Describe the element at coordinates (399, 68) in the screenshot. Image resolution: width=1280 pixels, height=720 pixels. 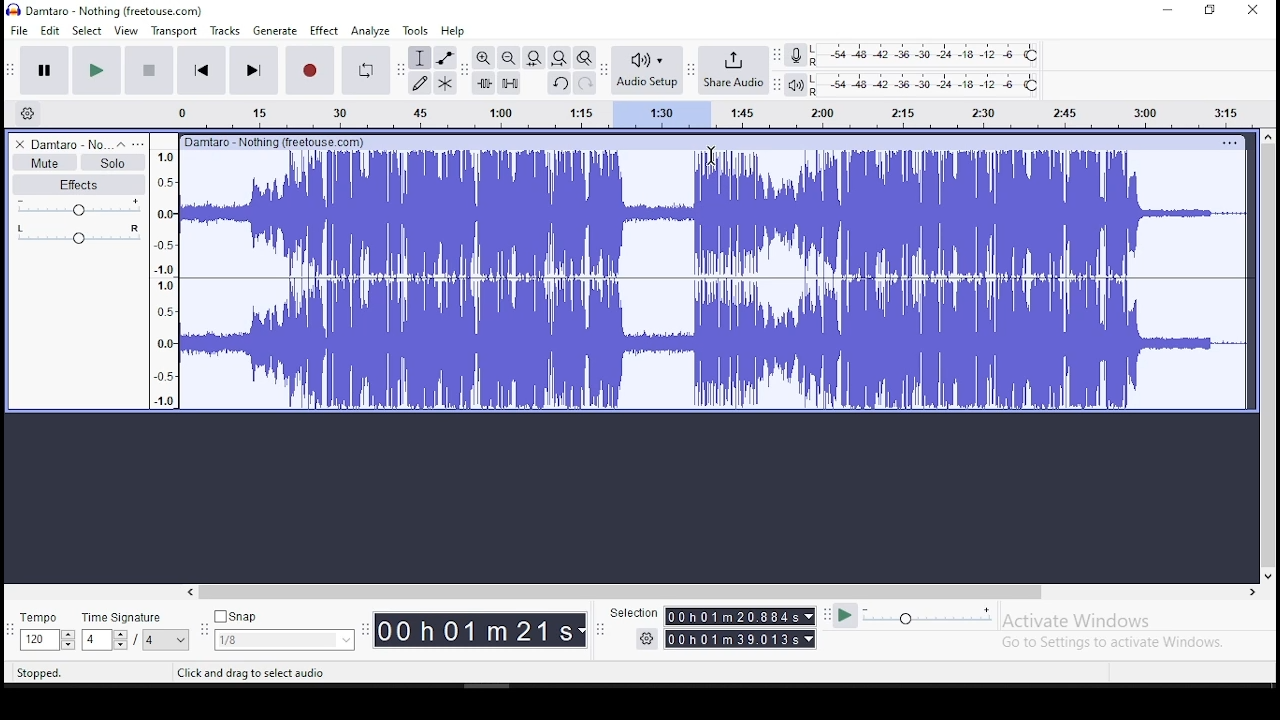
I see `` at that location.